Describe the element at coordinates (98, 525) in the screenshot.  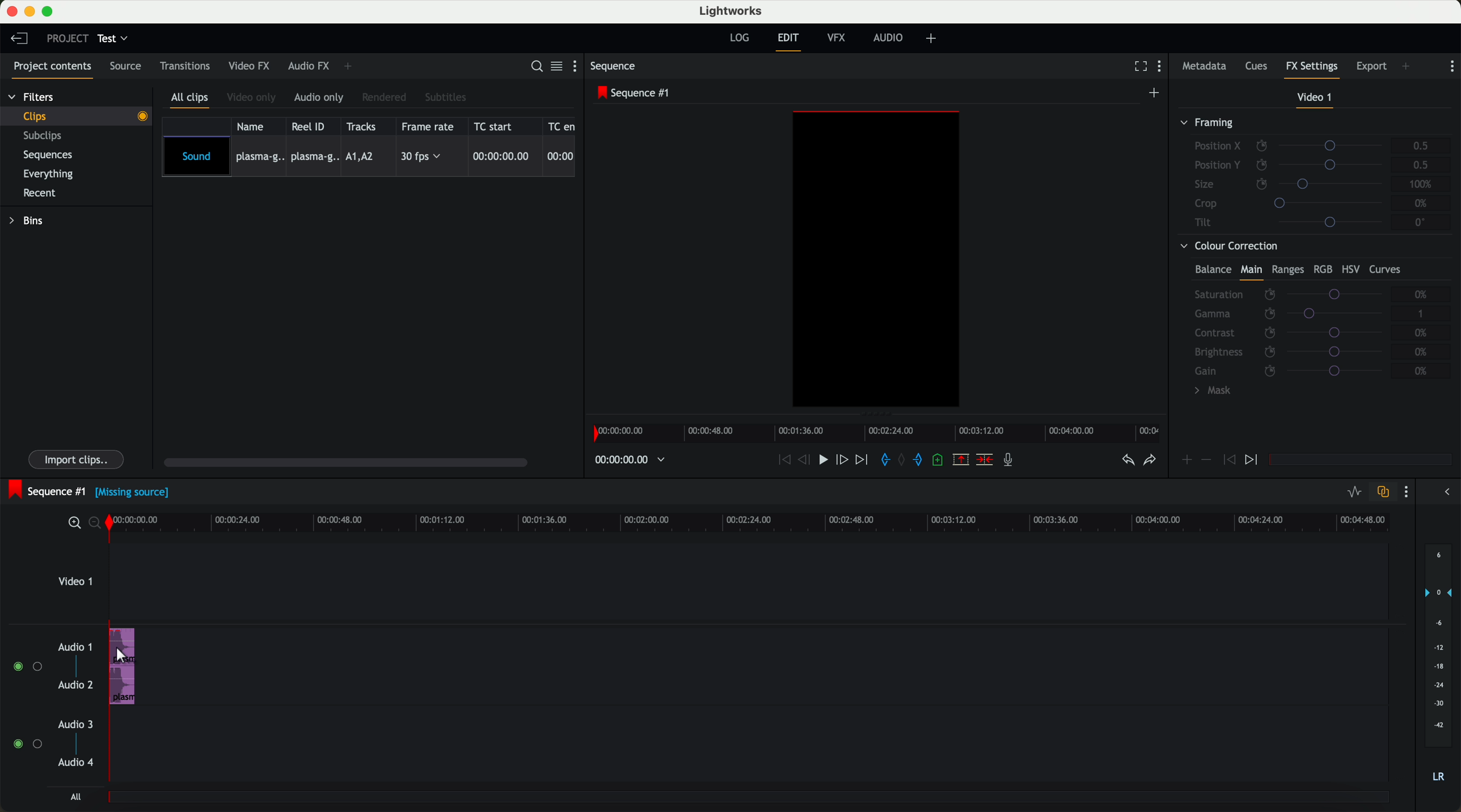
I see `zoom out` at that location.